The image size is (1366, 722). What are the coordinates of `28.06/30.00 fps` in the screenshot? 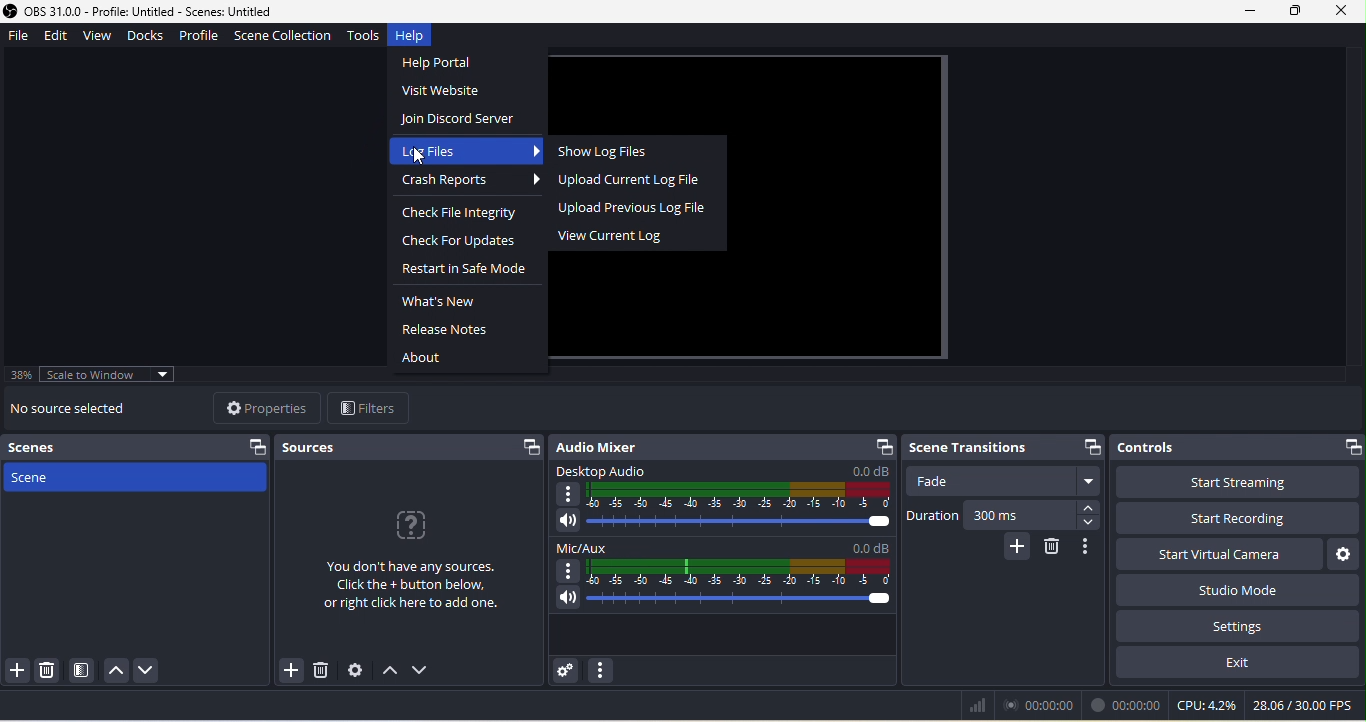 It's located at (1305, 707).